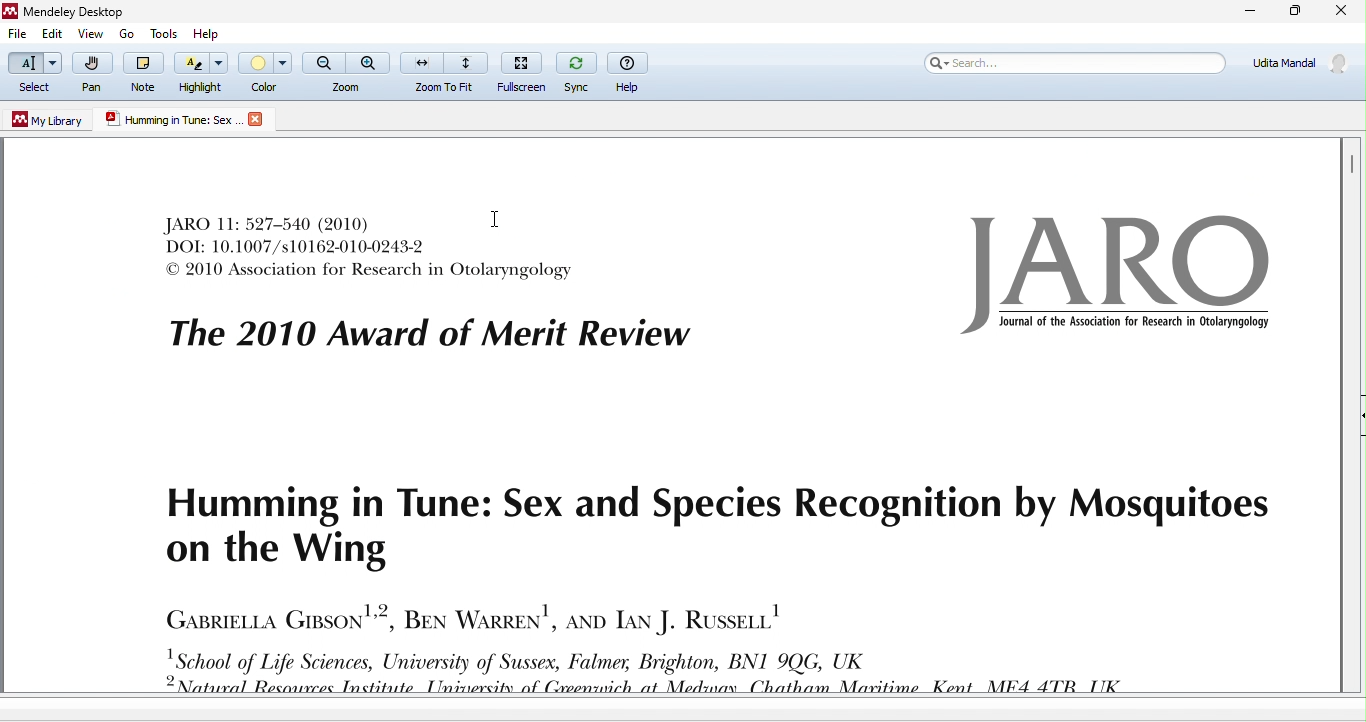 The width and height of the screenshot is (1366, 722). I want to click on journal text, so click(701, 573).